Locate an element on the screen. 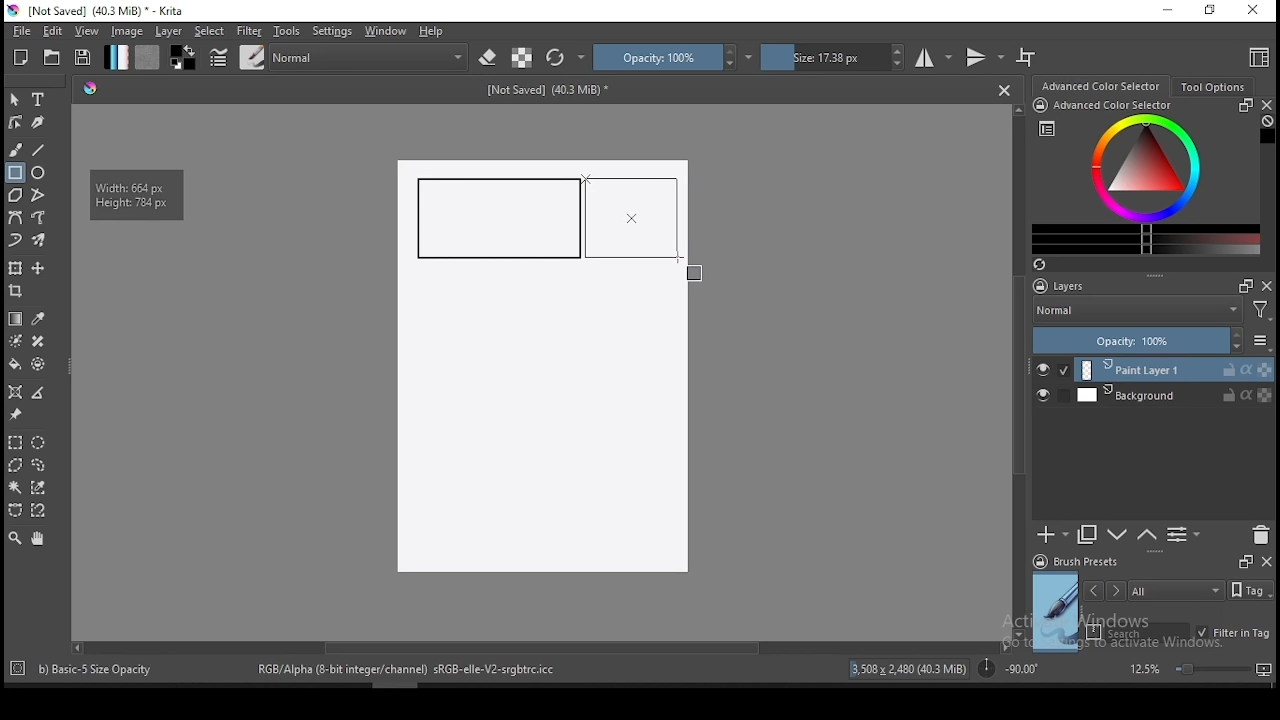 This screenshot has width=1280, height=720. choose workspace is located at coordinates (1257, 57).